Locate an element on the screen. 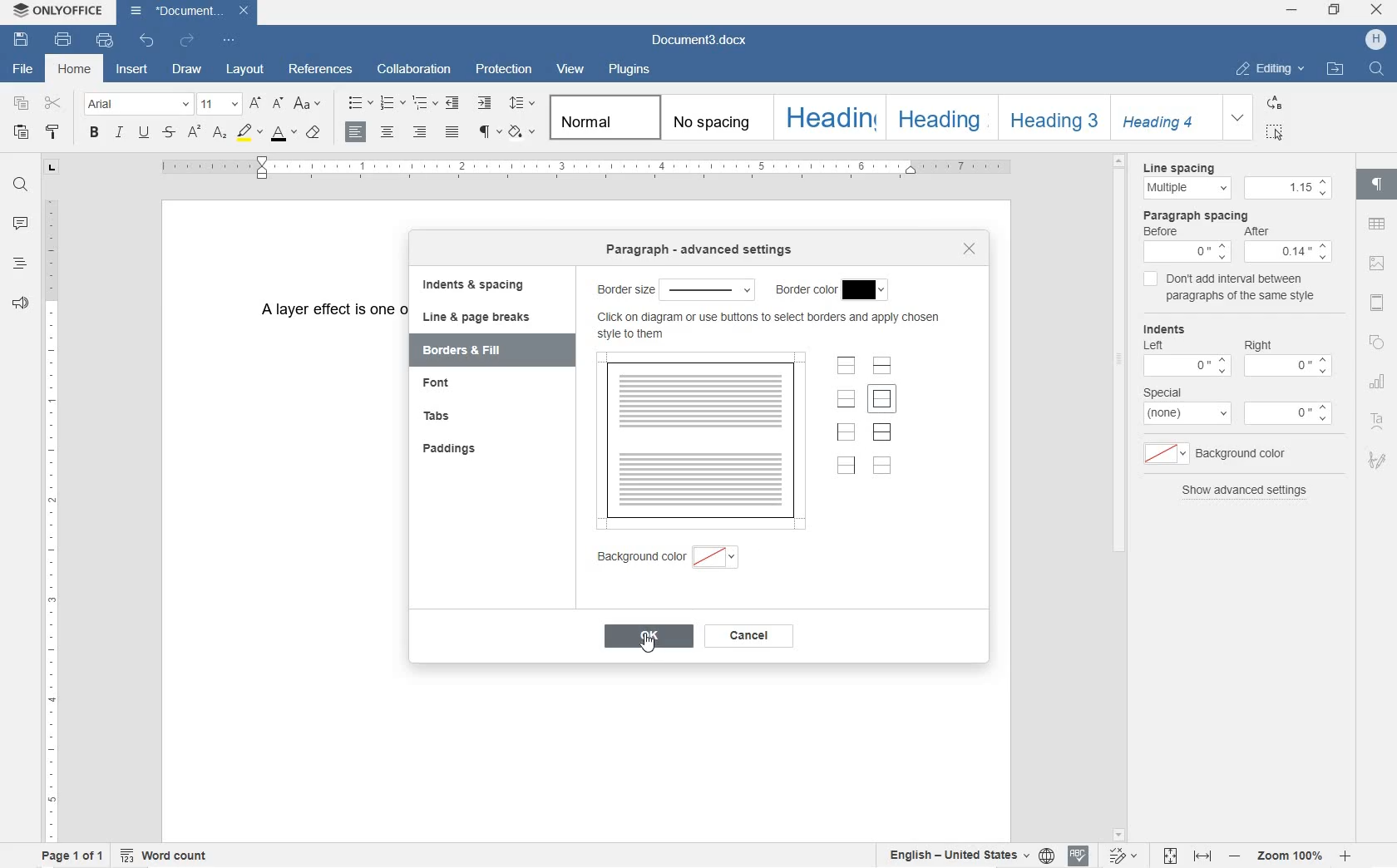 The image size is (1397, 868). close is located at coordinates (970, 250).